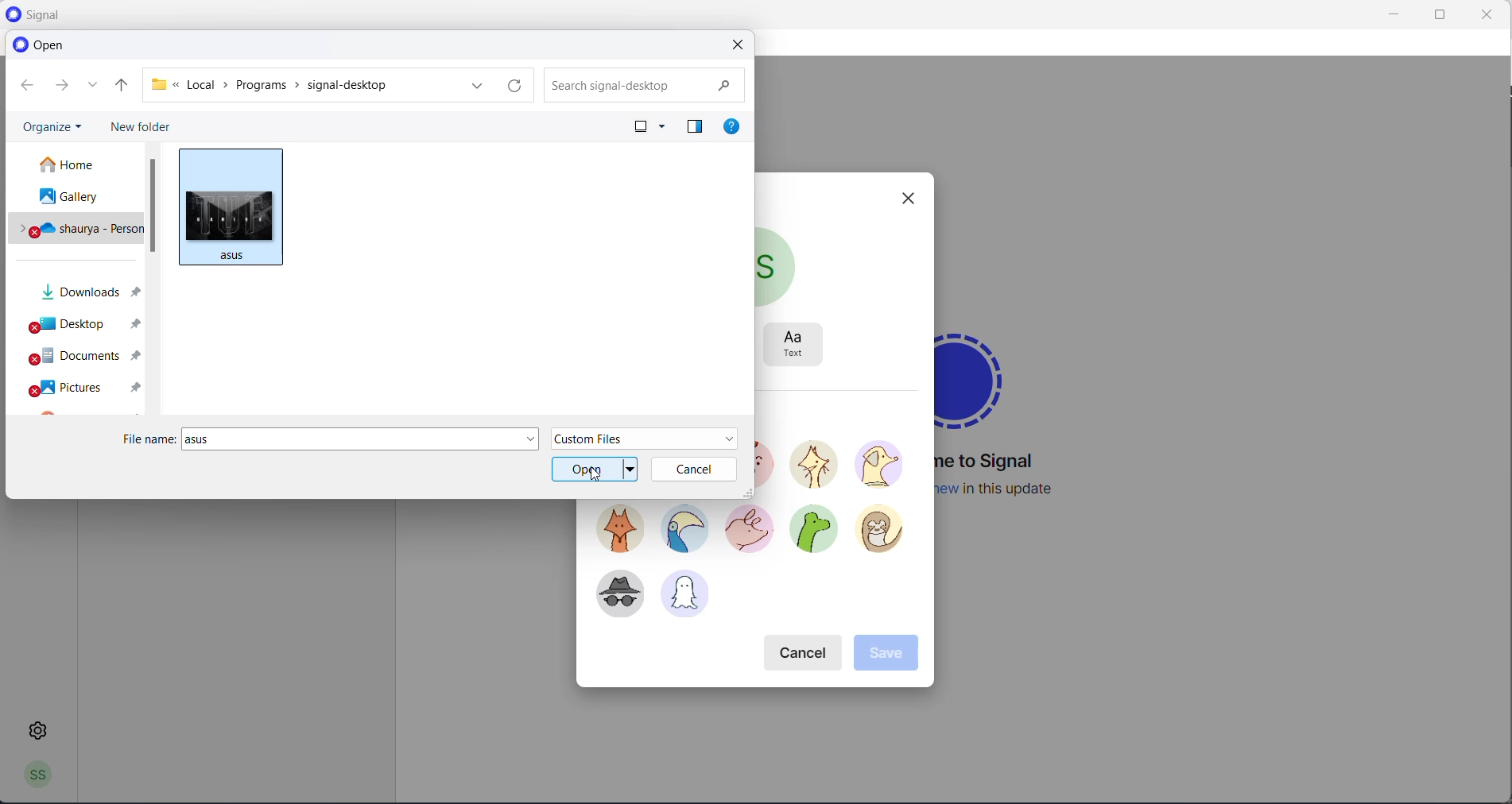 This screenshot has width=1512, height=804. Describe the element at coordinates (903, 199) in the screenshot. I see `close` at that location.